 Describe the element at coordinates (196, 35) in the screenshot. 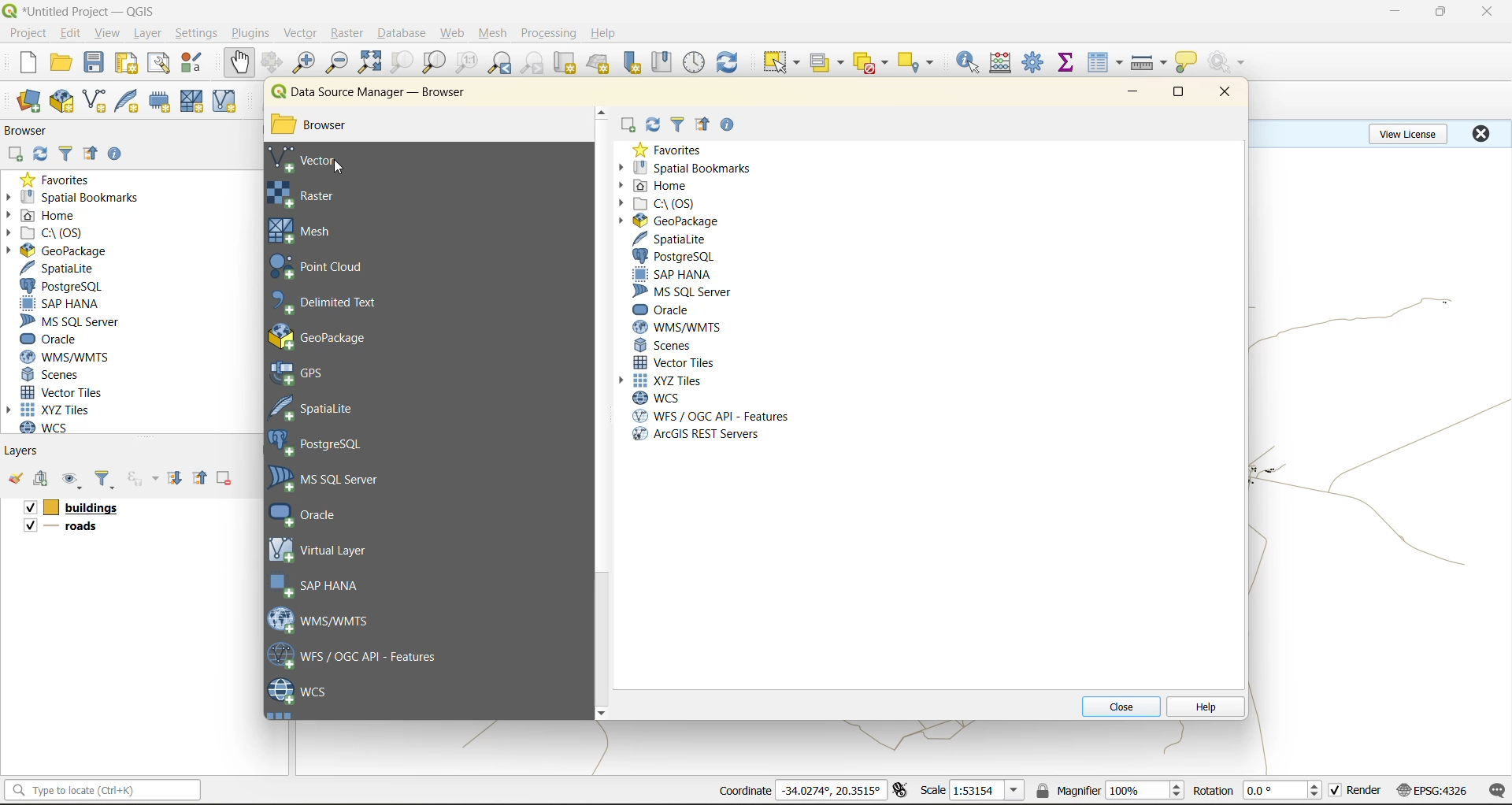

I see `settings` at that location.